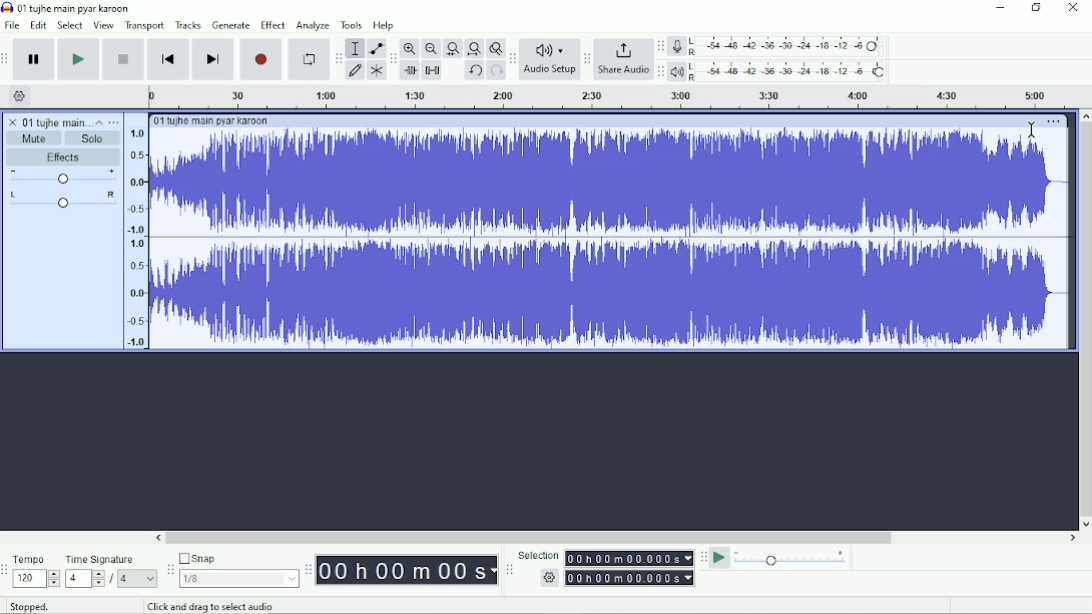 This screenshot has width=1092, height=614. Describe the element at coordinates (338, 58) in the screenshot. I see `Audacity tools toolbar` at that location.